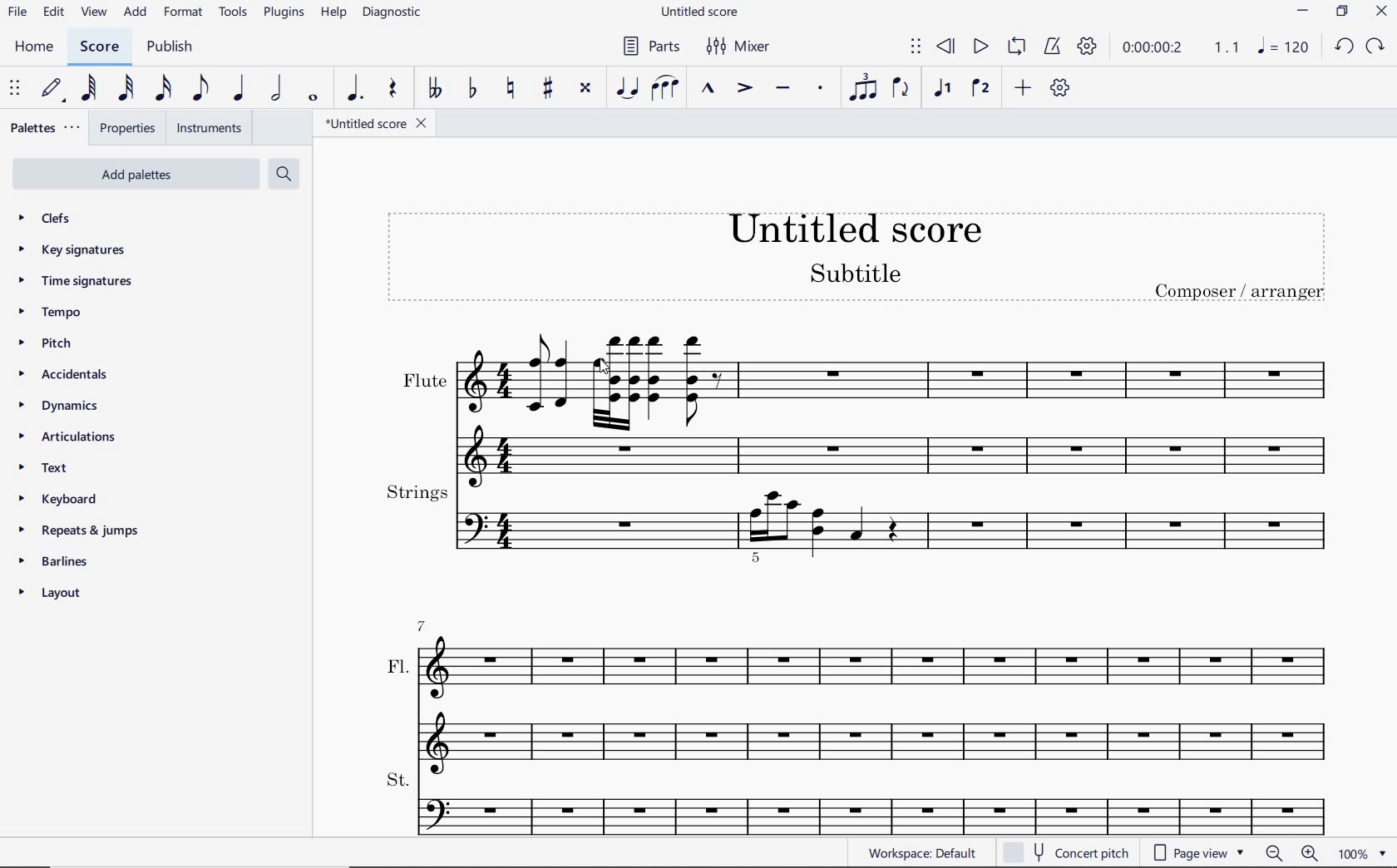 This screenshot has height=868, width=1397. I want to click on SELECT TO MOVE, so click(916, 48).